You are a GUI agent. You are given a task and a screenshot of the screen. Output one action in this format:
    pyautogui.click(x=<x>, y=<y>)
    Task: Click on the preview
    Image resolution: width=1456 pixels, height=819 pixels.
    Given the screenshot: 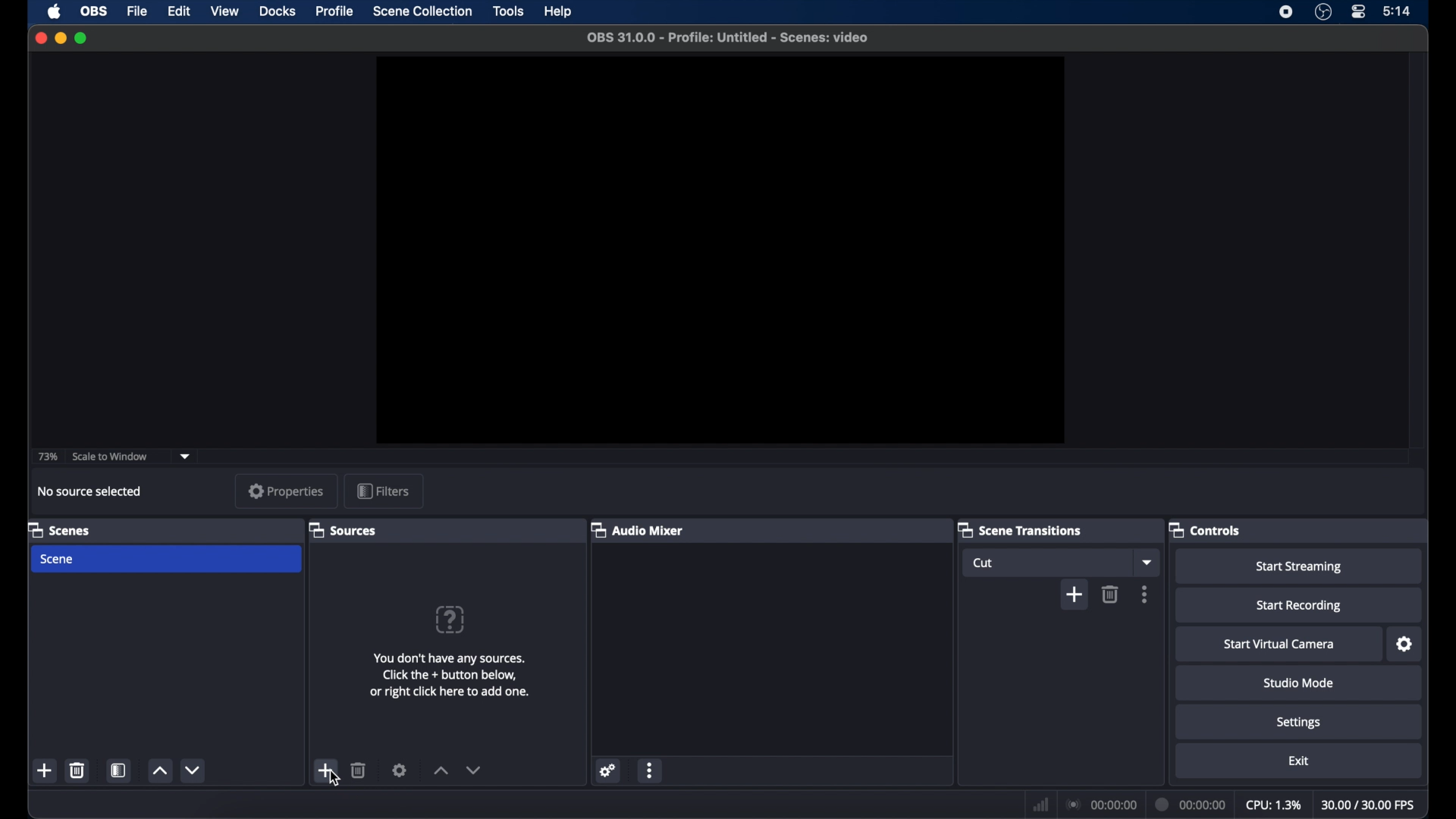 What is the action you would take?
    pyautogui.click(x=718, y=250)
    